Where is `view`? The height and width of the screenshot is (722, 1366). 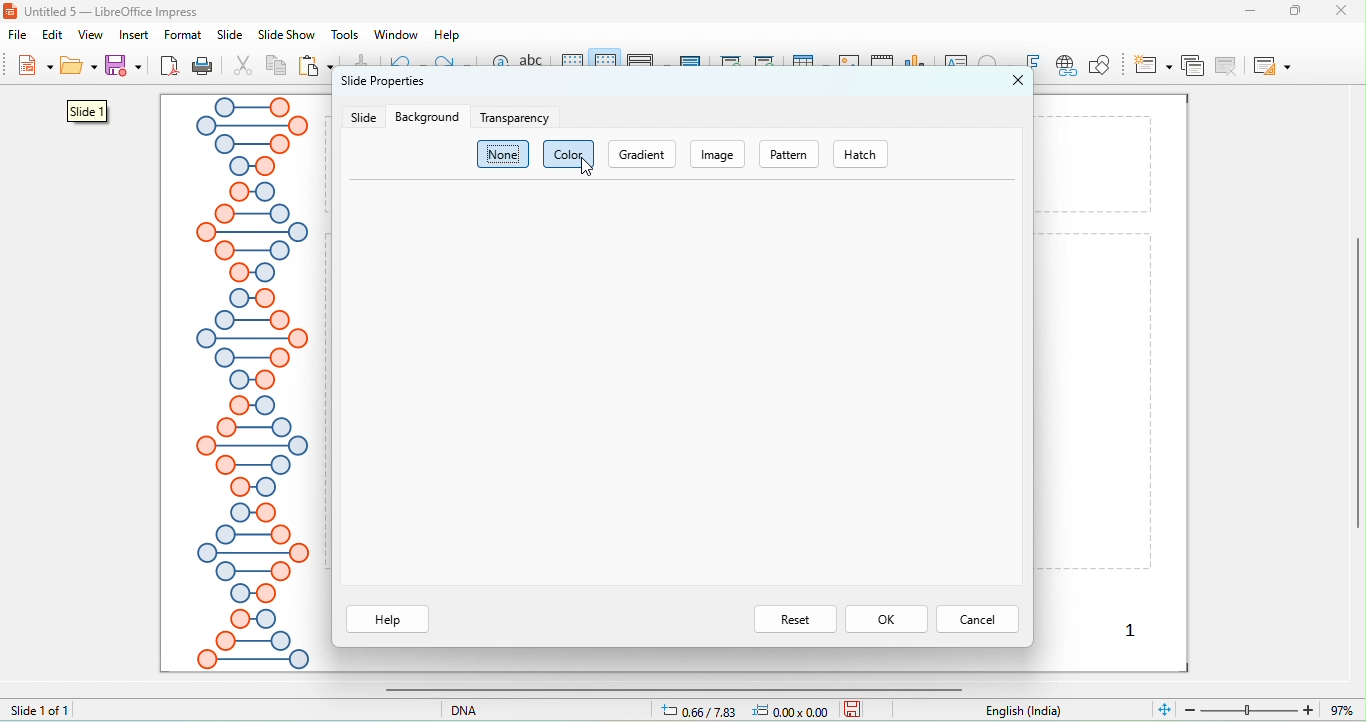 view is located at coordinates (90, 35).